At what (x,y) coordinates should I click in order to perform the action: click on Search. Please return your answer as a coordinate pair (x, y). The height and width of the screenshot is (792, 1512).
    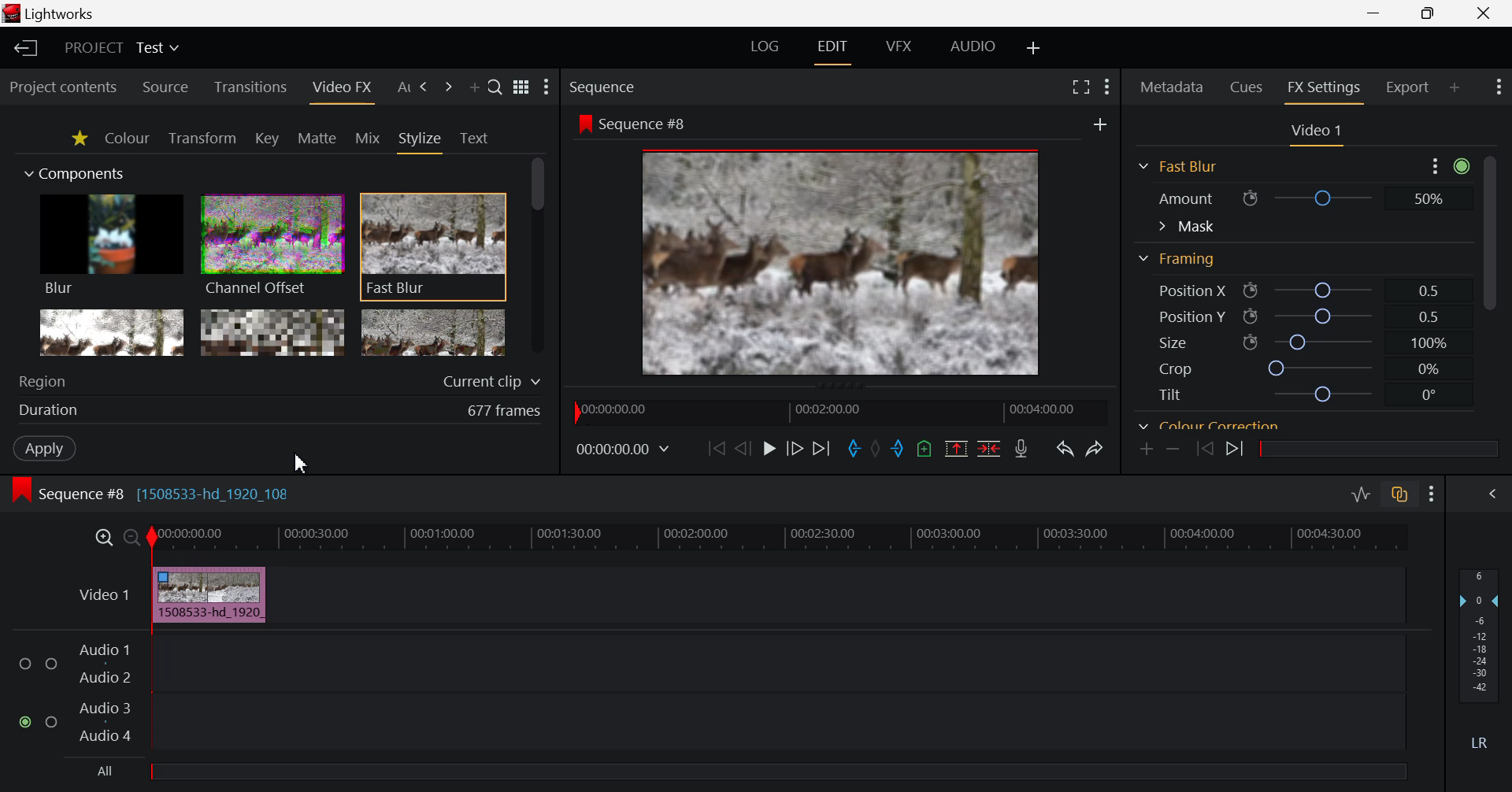
    Looking at the image, I should click on (495, 87).